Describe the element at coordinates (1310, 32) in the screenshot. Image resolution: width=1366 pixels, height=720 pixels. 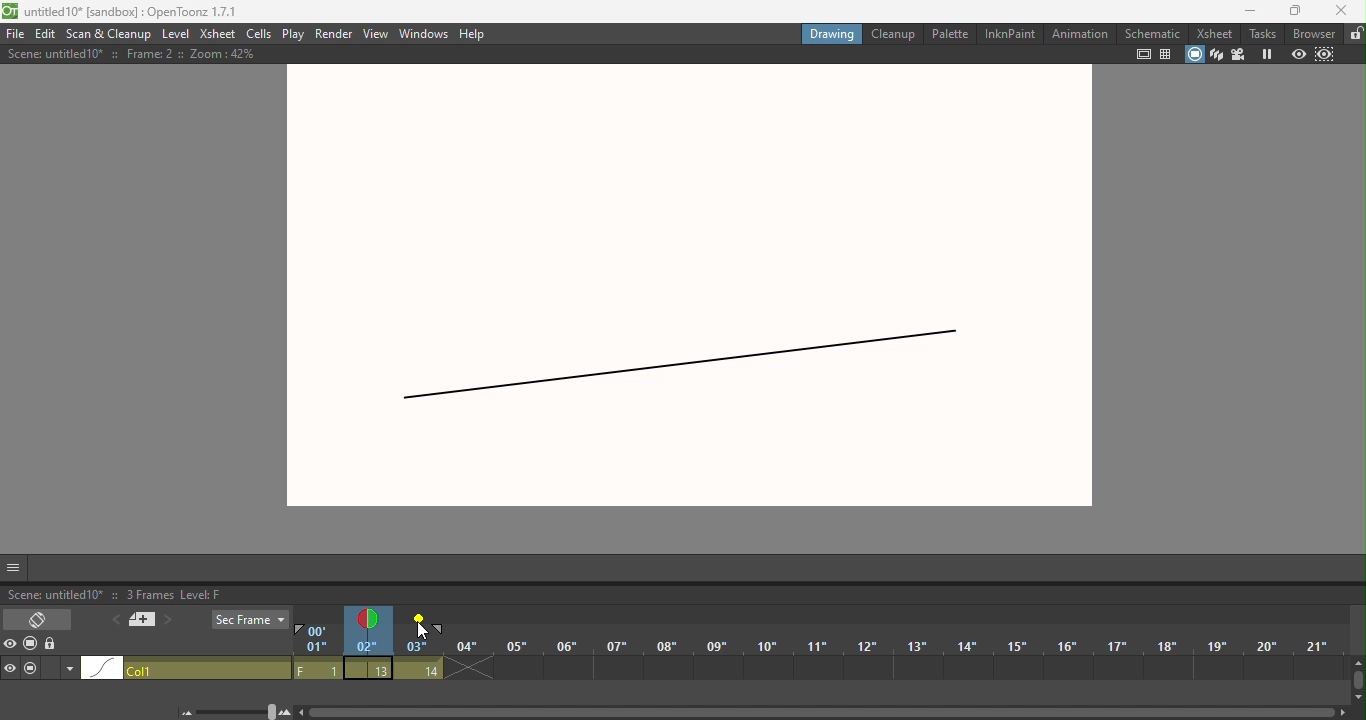
I see `Browser` at that location.